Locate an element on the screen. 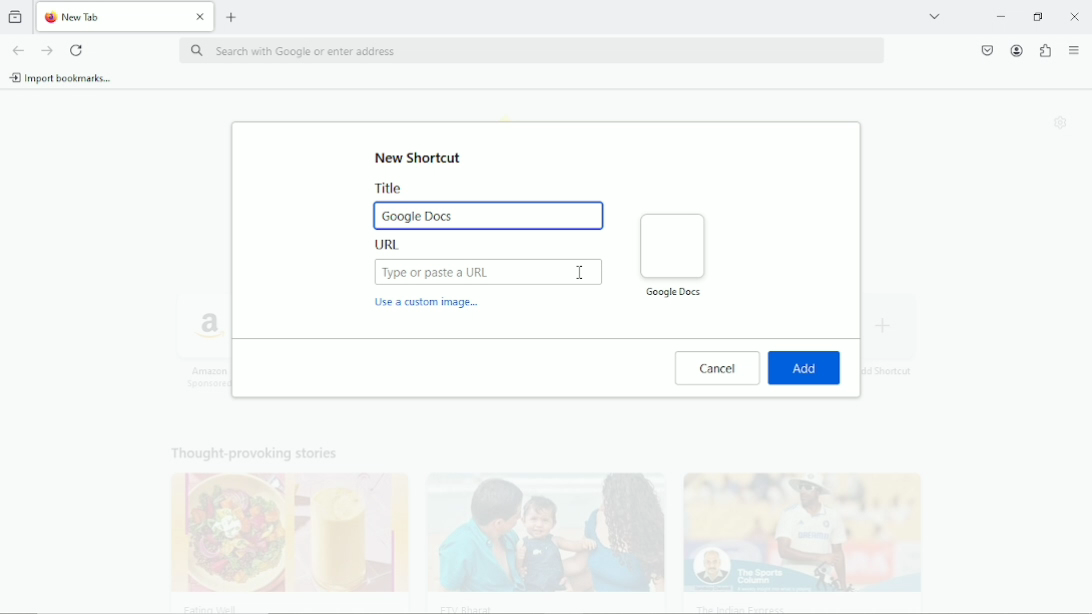 The width and height of the screenshot is (1092, 614). Shortcut Preview: Google Docs is located at coordinates (672, 254).